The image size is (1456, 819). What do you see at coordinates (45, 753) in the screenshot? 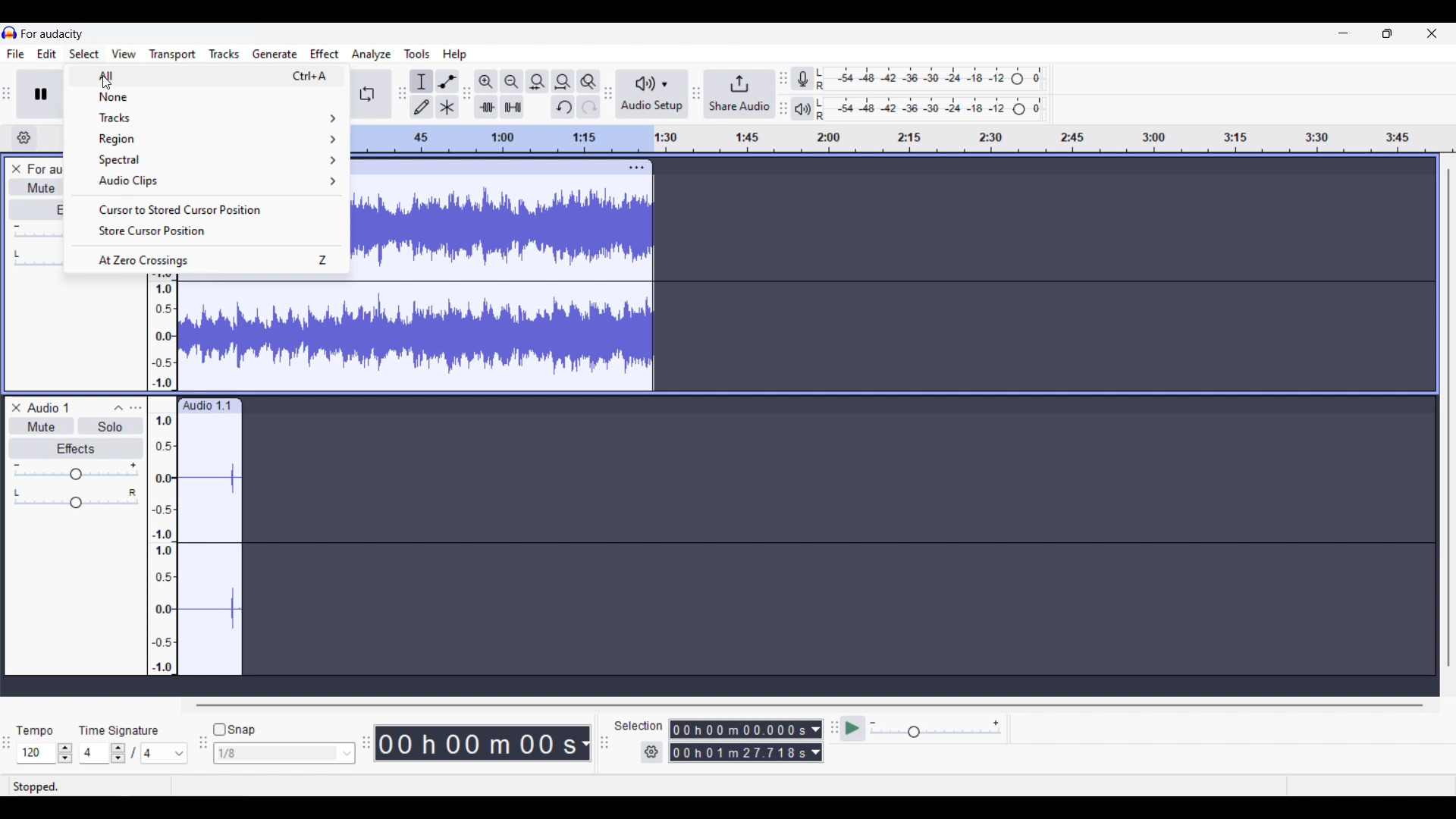
I see `Tempo settings` at bounding box center [45, 753].